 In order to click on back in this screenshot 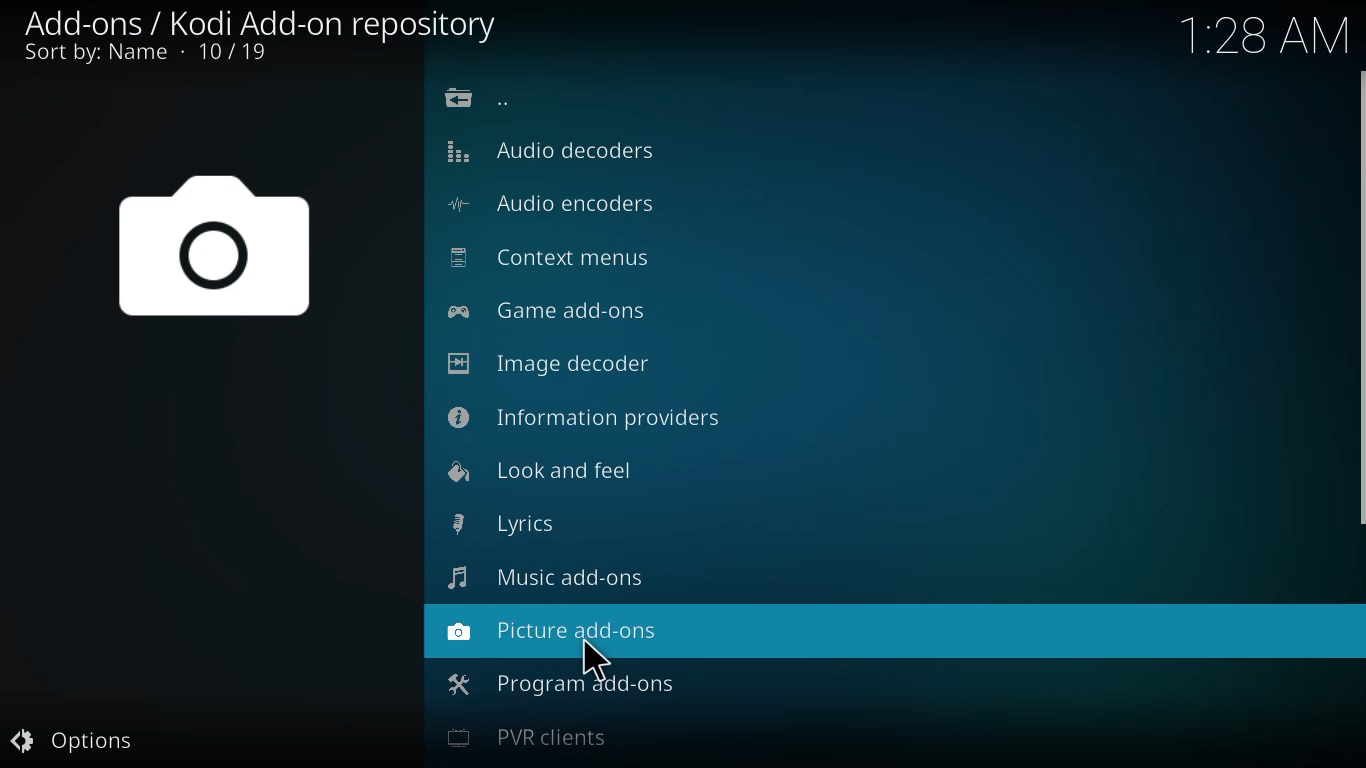, I will do `click(481, 98)`.